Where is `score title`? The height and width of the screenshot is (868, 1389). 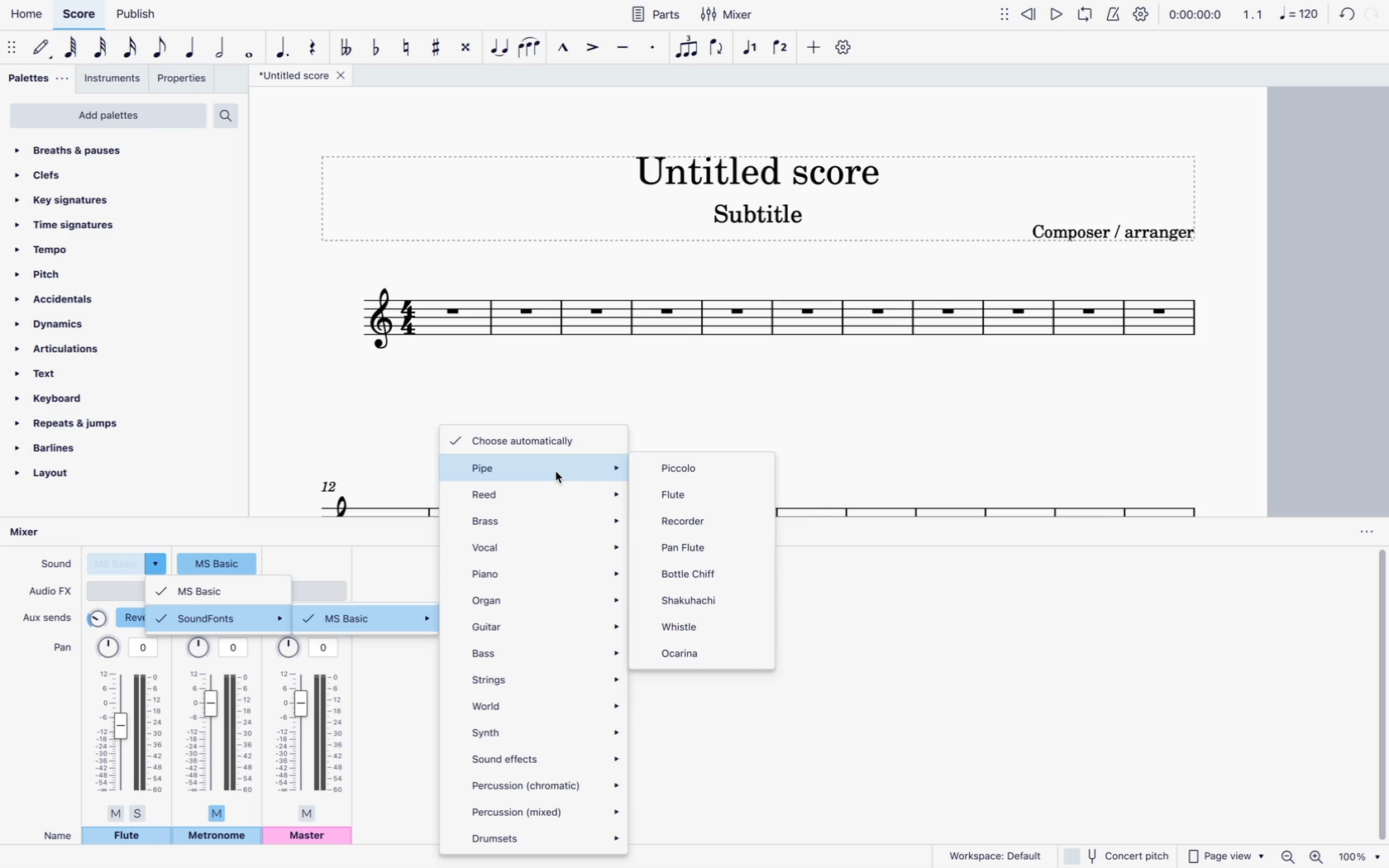
score title is located at coordinates (756, 167).